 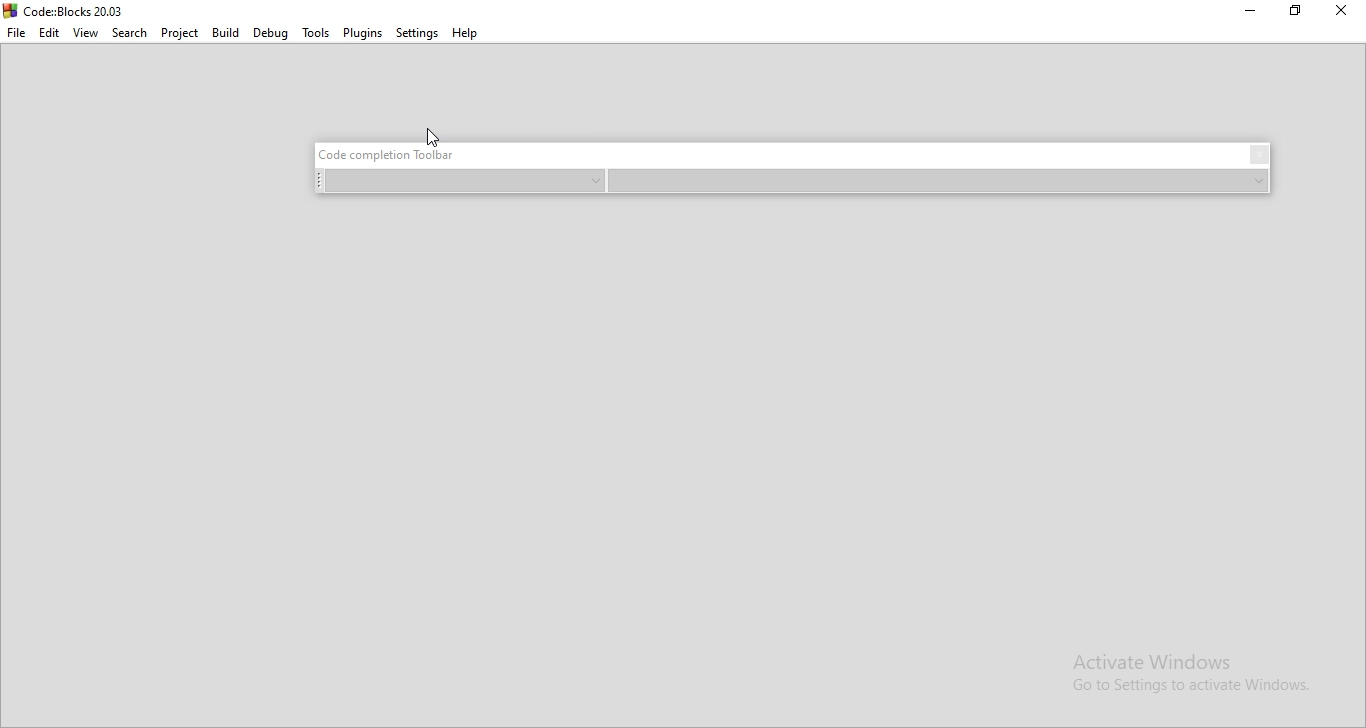 What do you see at coordinates (49, 33) in the screenshot?
I see `Edit ` at bounding box center [49, 33].